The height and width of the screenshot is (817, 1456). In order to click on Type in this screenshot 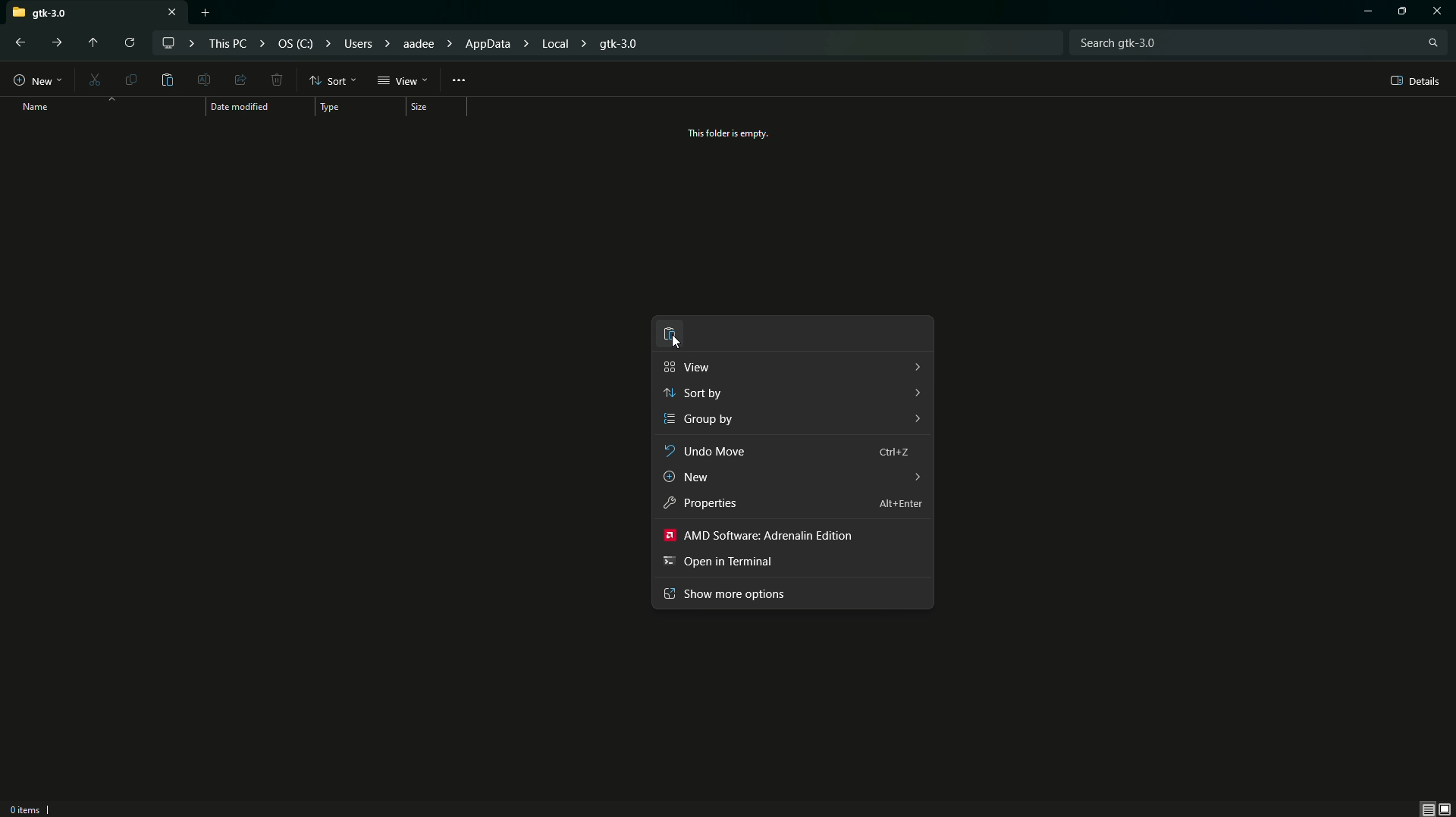, I will do `click(332, 108)`.